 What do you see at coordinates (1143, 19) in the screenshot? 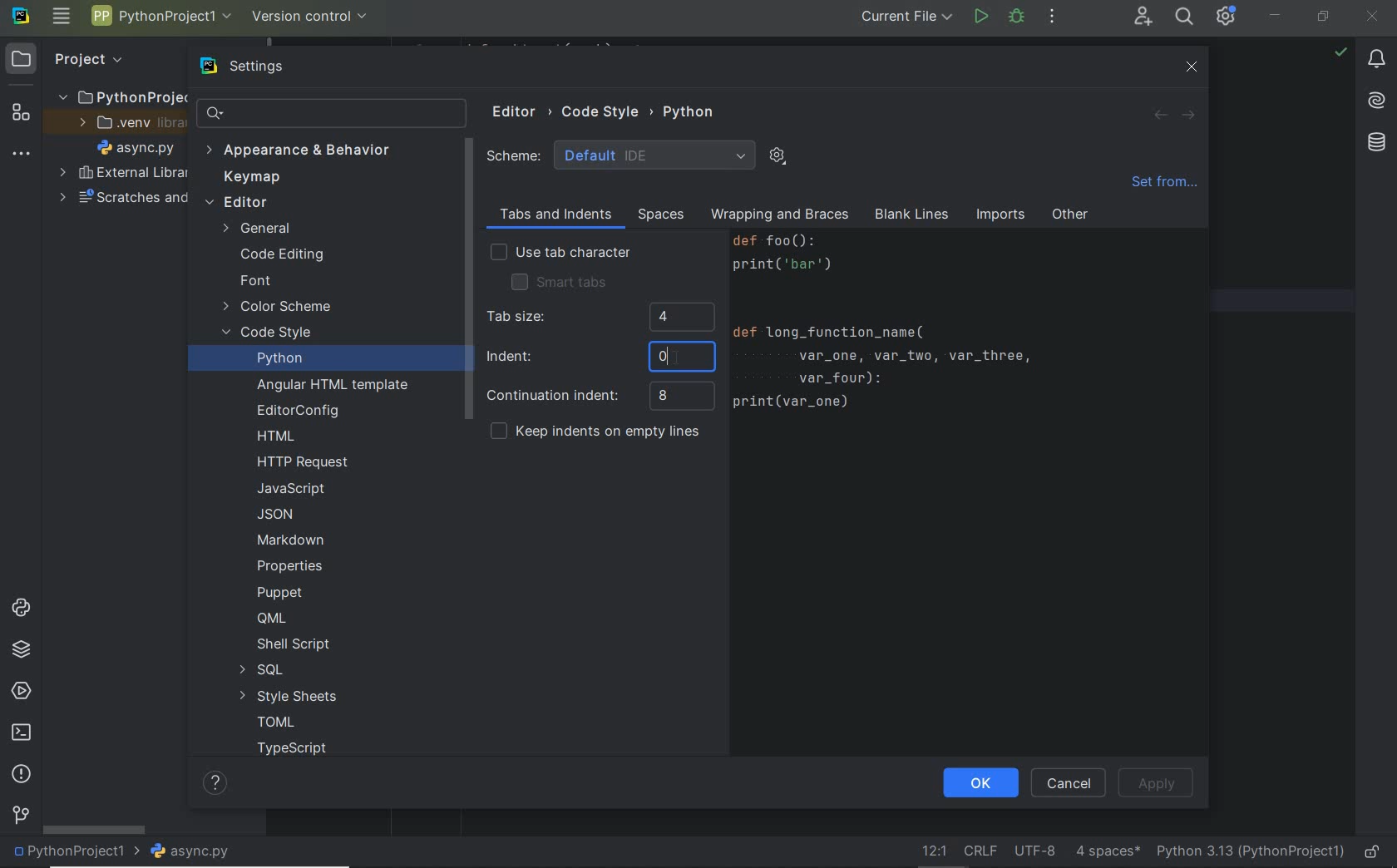
I see `code with me` at bounding box center [1143, 19].